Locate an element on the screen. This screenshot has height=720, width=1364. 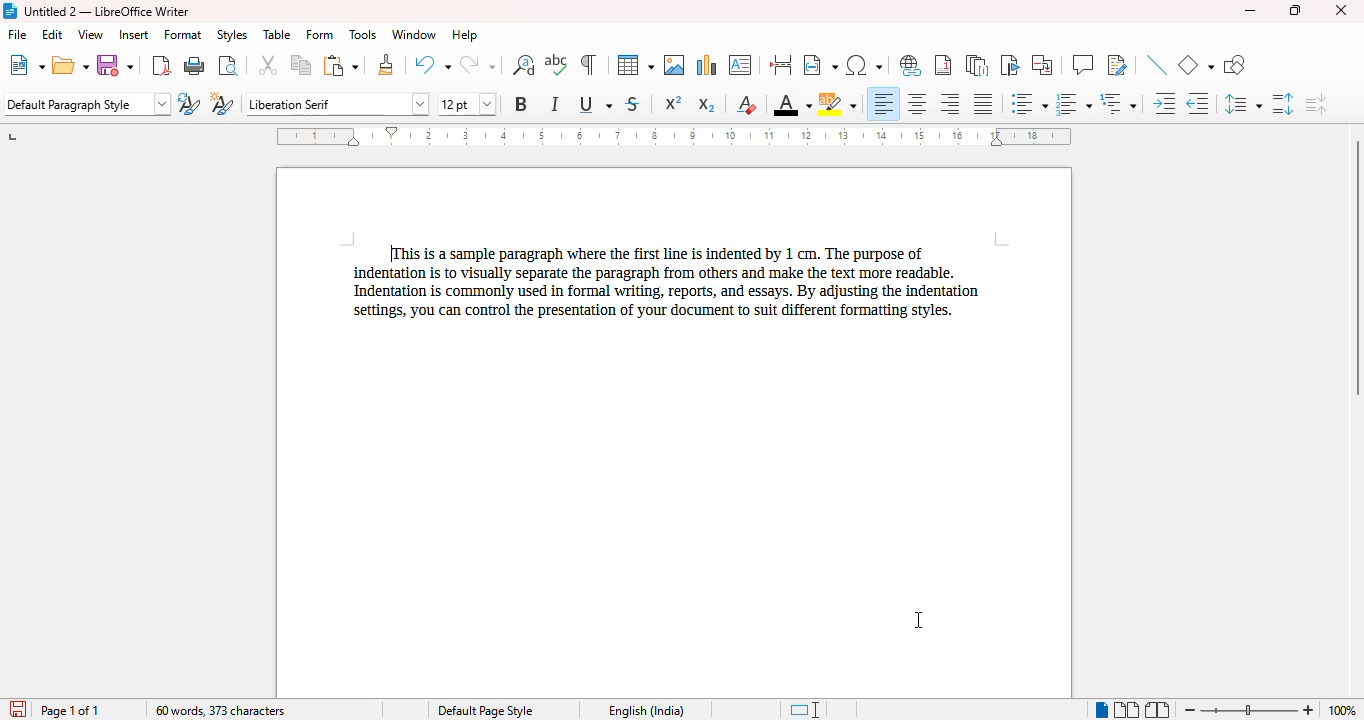
click to save the document is located at coordinates (17, 708).